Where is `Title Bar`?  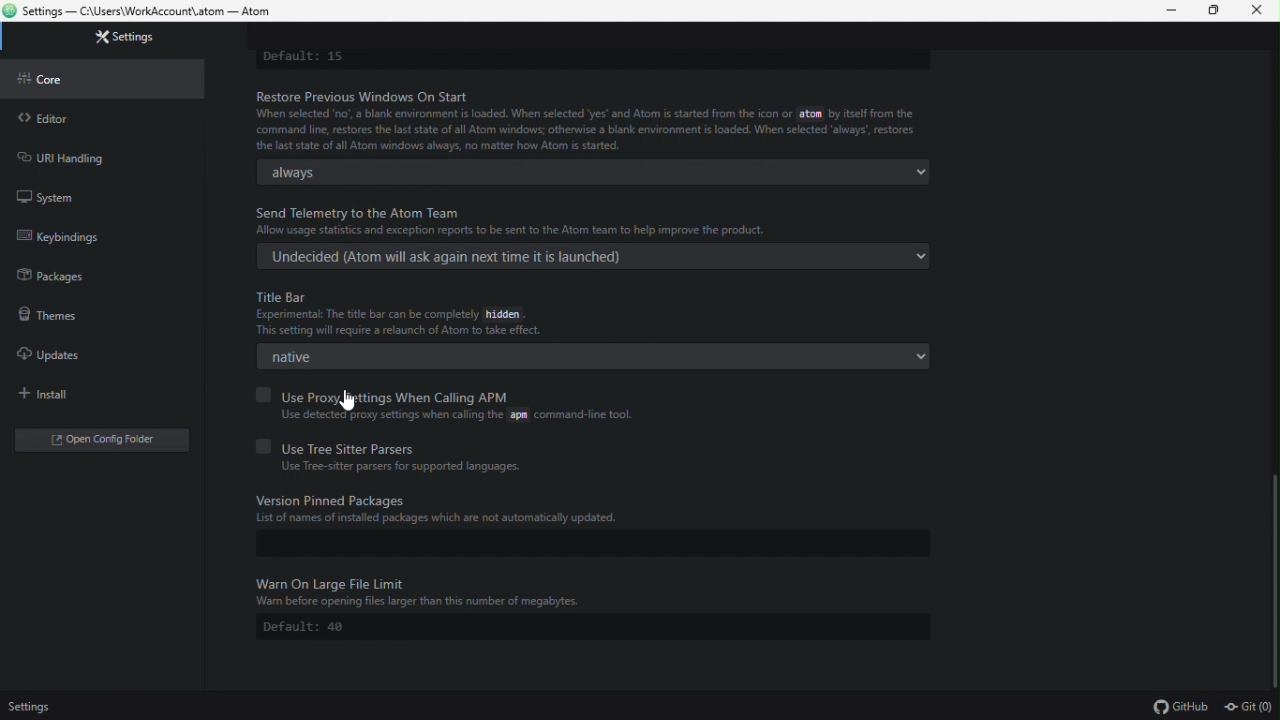
Title Bar is located at coordinates (284, 296).